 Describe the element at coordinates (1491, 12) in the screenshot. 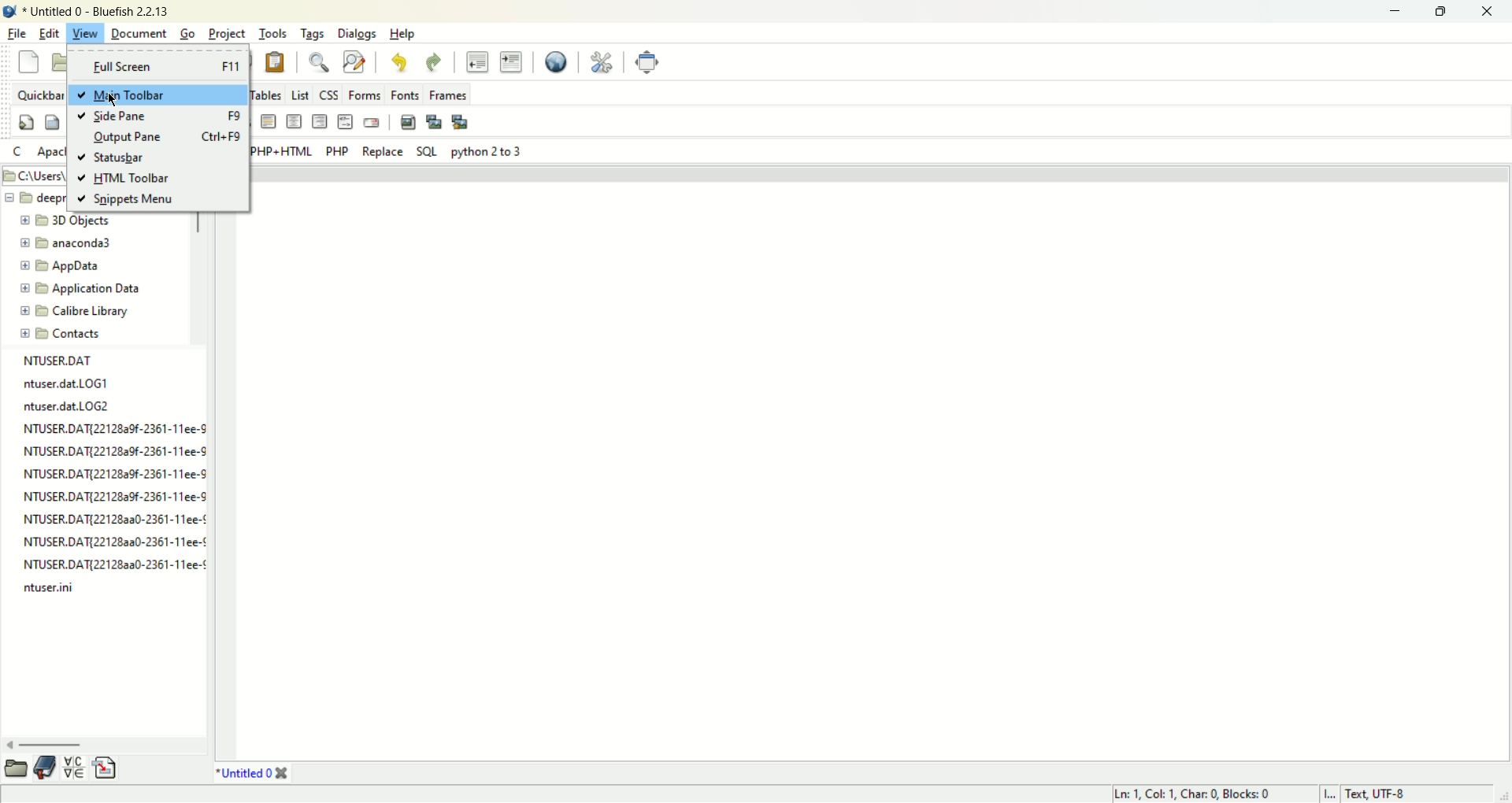

I see `close` at that location.